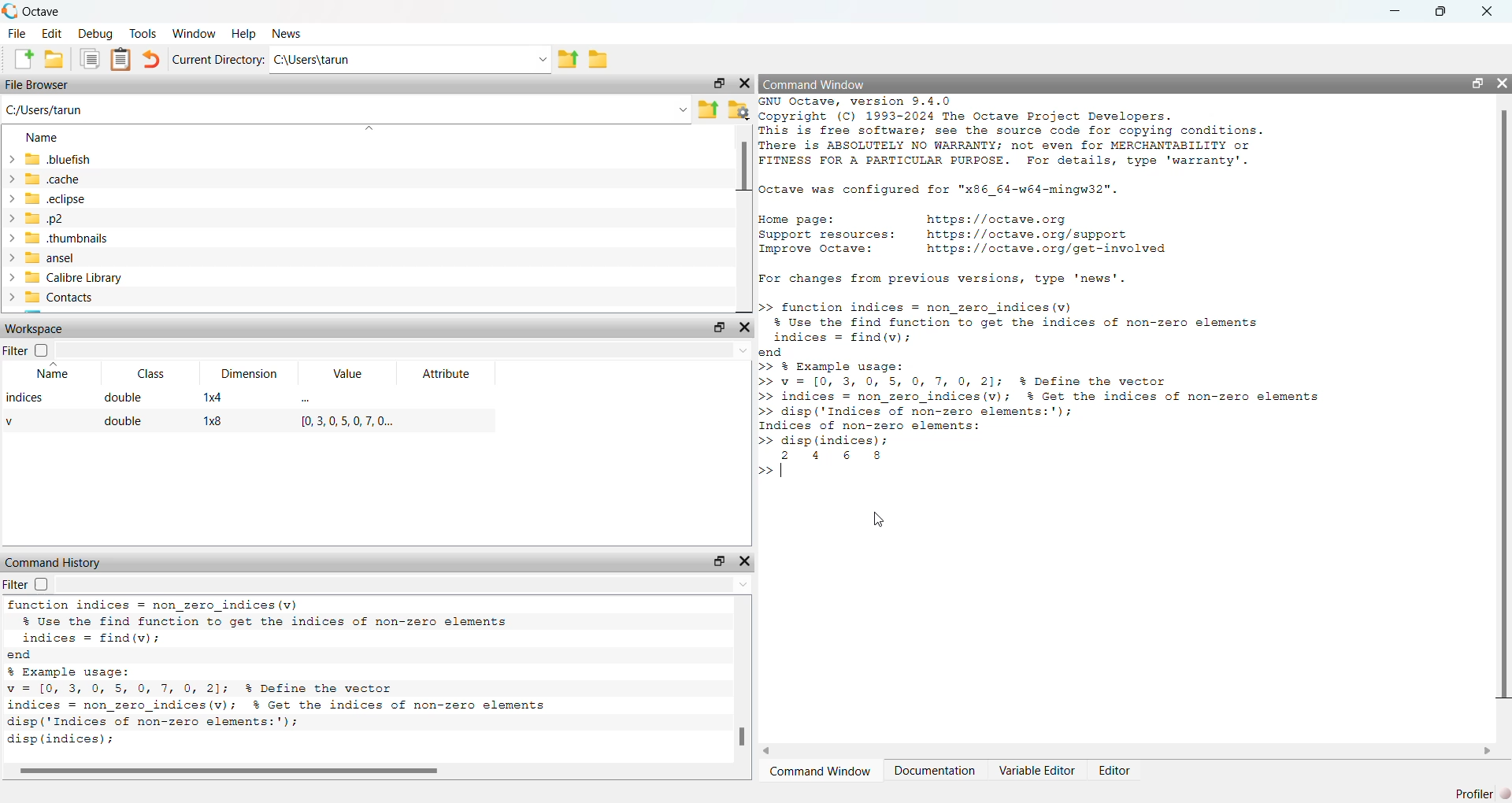 This screenshot has width=1512, height=803. Describe the element at coordinates (1470, 794) in the screenshot. I see `profiler` at that location.